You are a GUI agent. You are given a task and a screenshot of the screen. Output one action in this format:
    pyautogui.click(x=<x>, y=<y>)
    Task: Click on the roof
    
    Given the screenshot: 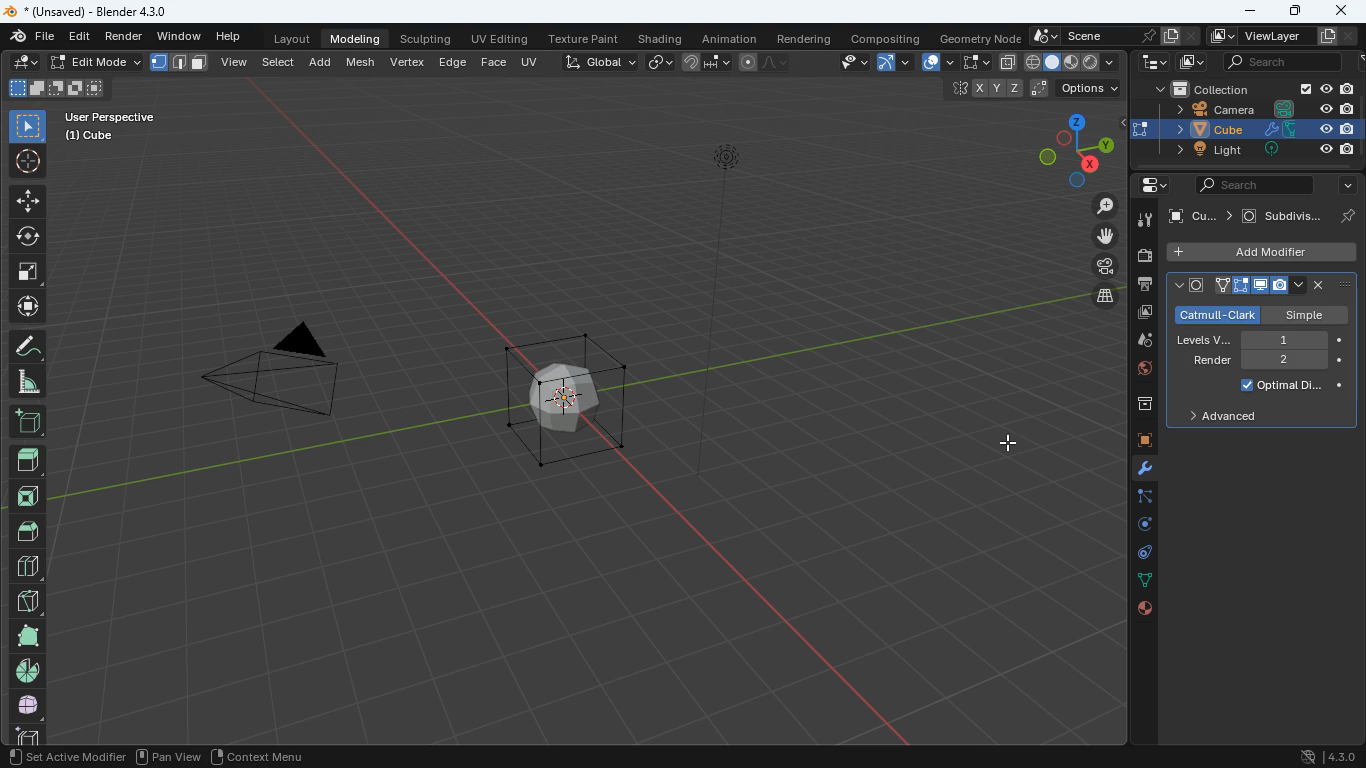 What is the action you would take?
    pyautogui.click(x=27, y=533)
    